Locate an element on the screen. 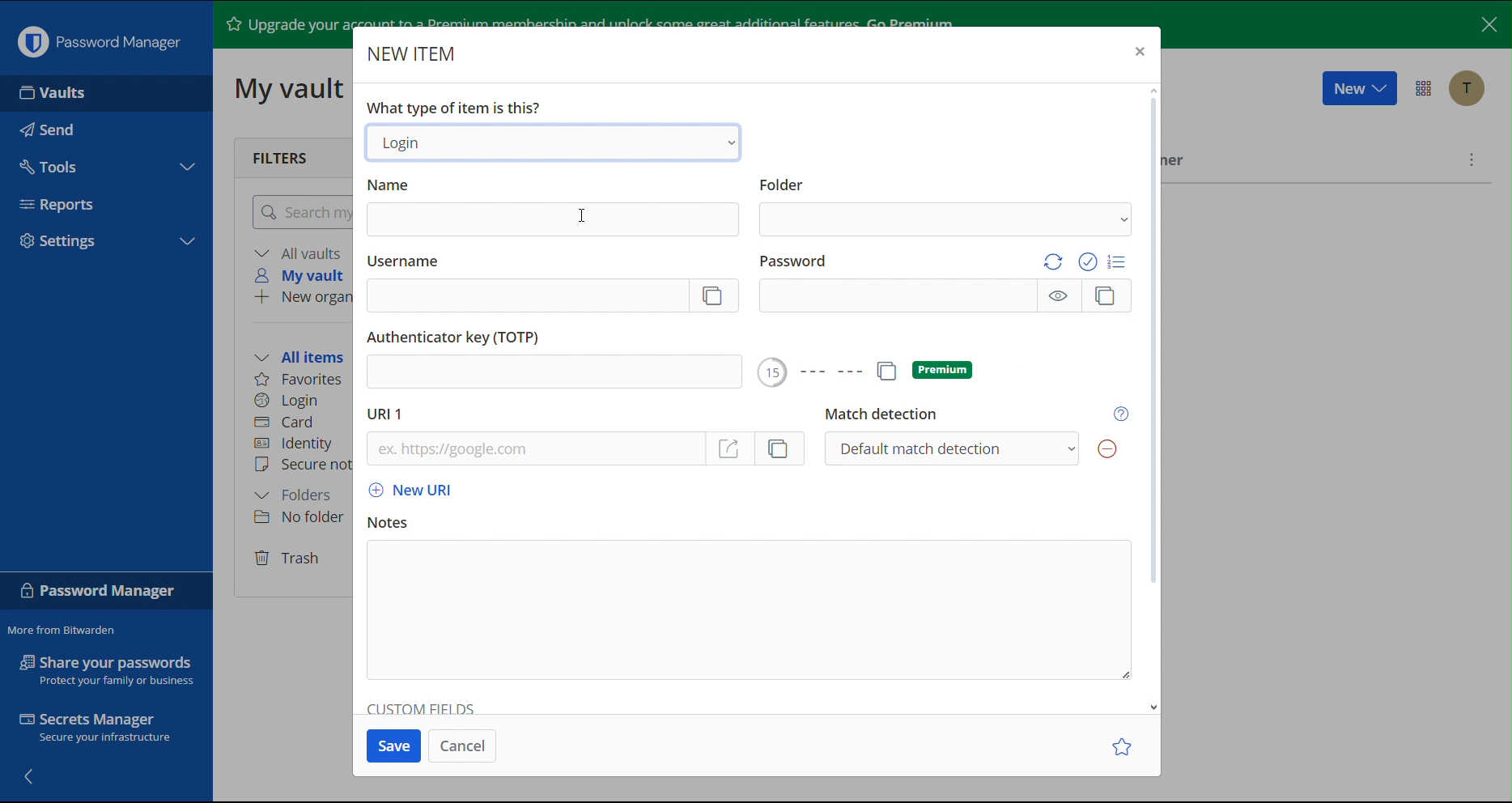  Close is located at coordinates (1486, 23).